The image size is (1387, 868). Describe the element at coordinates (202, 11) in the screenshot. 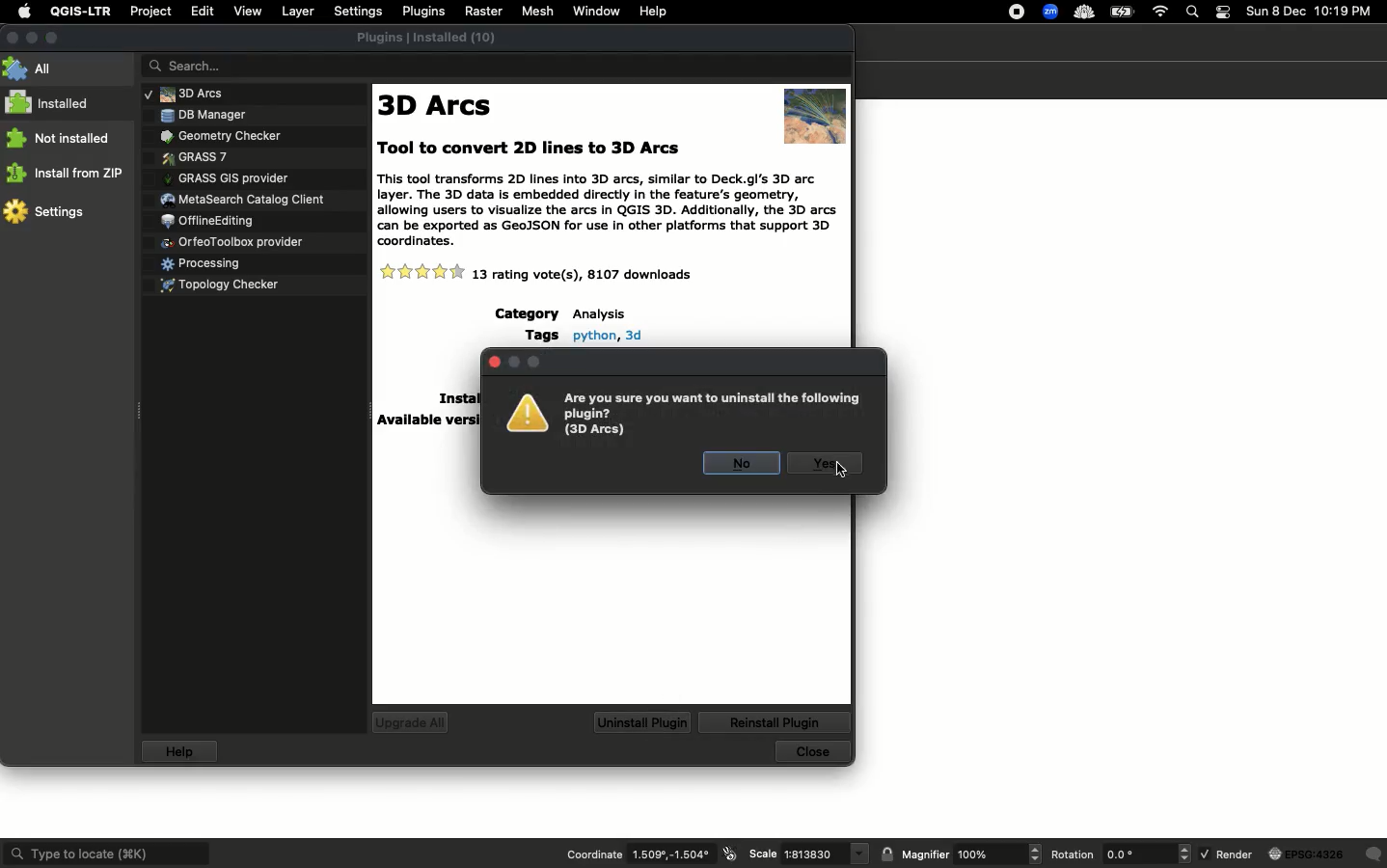

I see `Edit` at that location.